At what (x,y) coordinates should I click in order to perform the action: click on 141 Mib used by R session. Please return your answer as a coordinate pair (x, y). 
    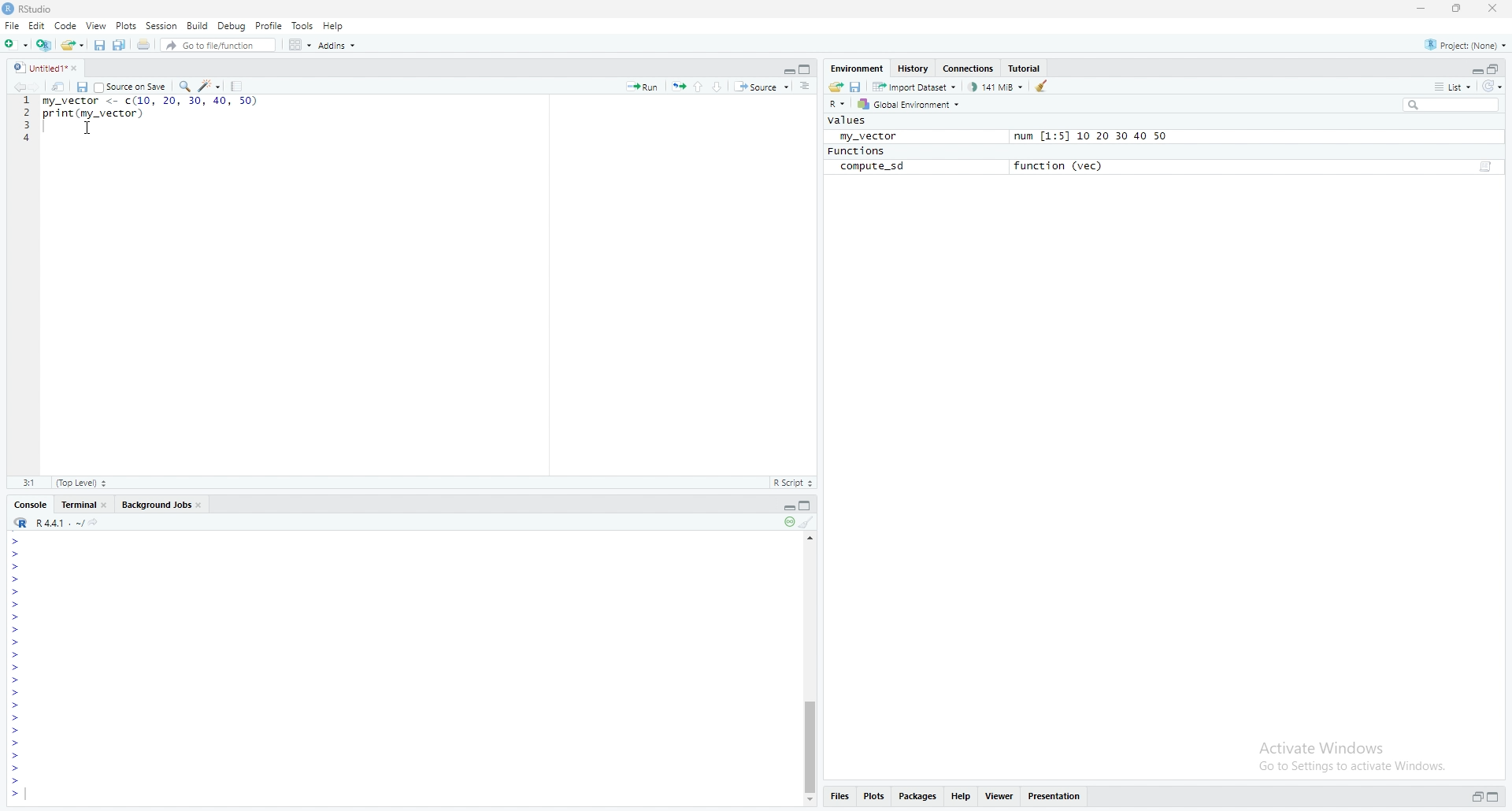
    Looking at the image, I should click on (997, 86).